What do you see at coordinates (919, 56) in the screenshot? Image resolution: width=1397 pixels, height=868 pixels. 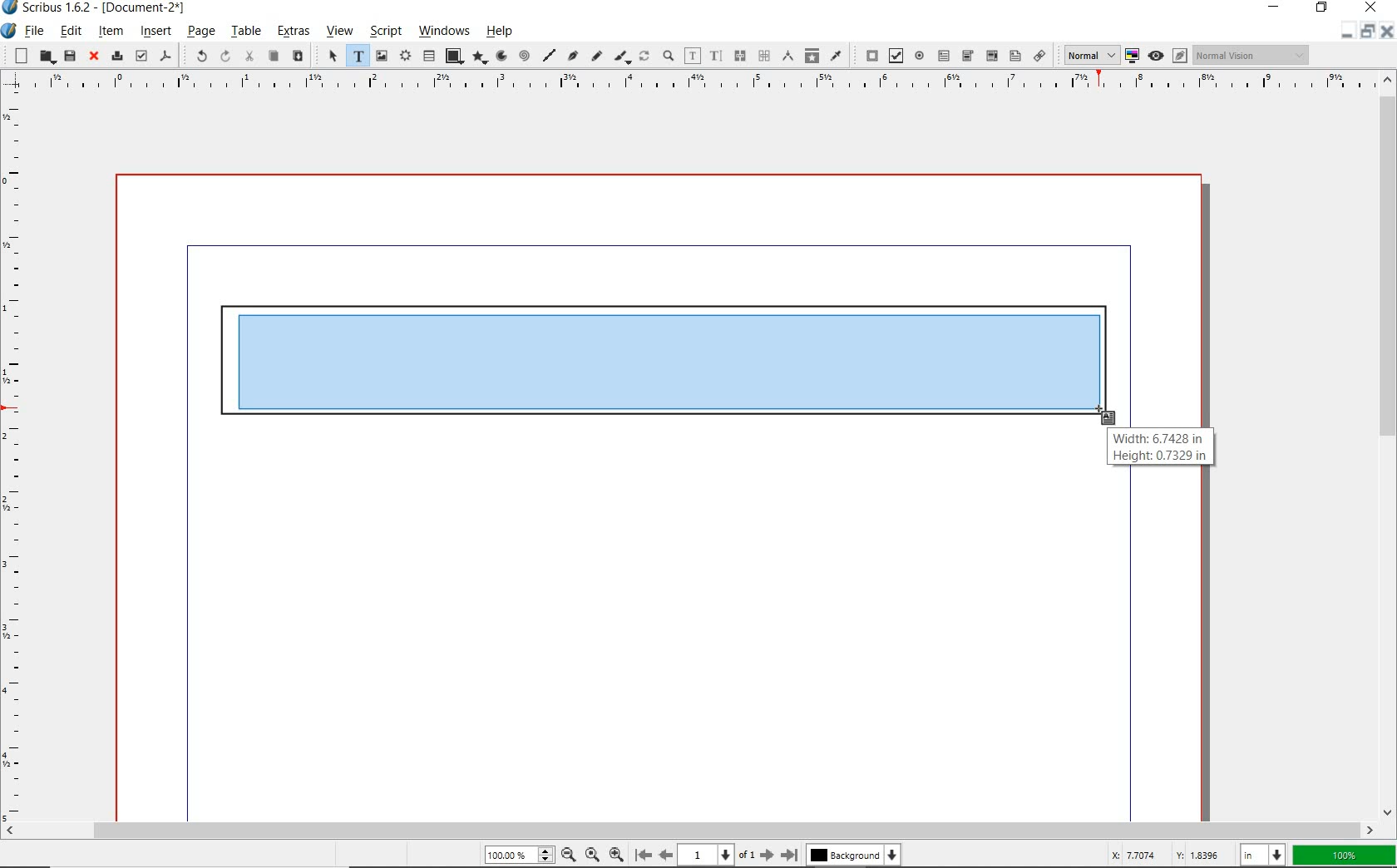 I see `pdf radio button` at bounding box center [919, 56].